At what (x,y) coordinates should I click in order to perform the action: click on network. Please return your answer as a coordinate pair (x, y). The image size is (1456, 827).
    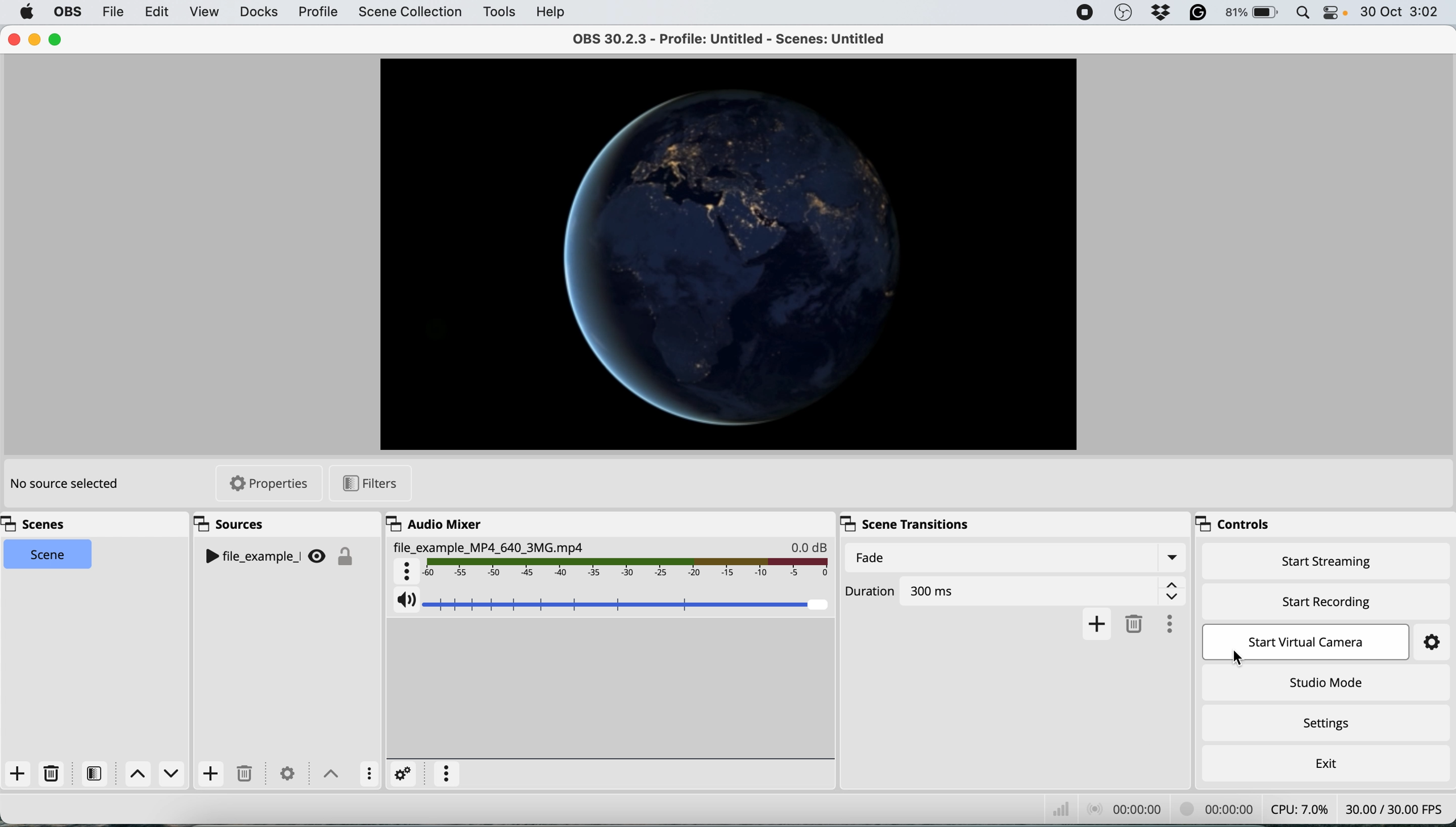
    Looking at the image, I should click on (1058, 807).